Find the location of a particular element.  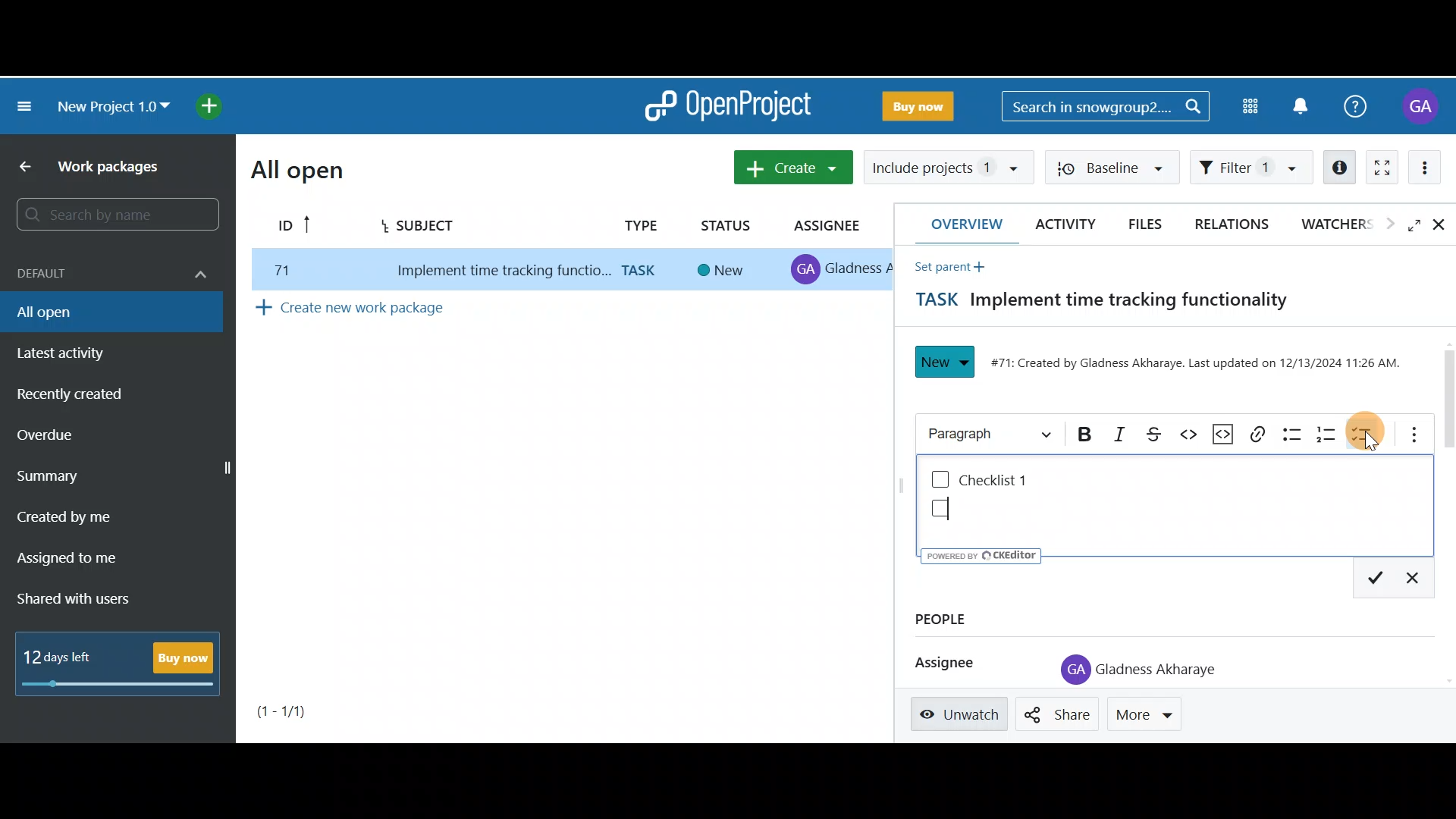

Italic is located at coordinates (1119, 433).